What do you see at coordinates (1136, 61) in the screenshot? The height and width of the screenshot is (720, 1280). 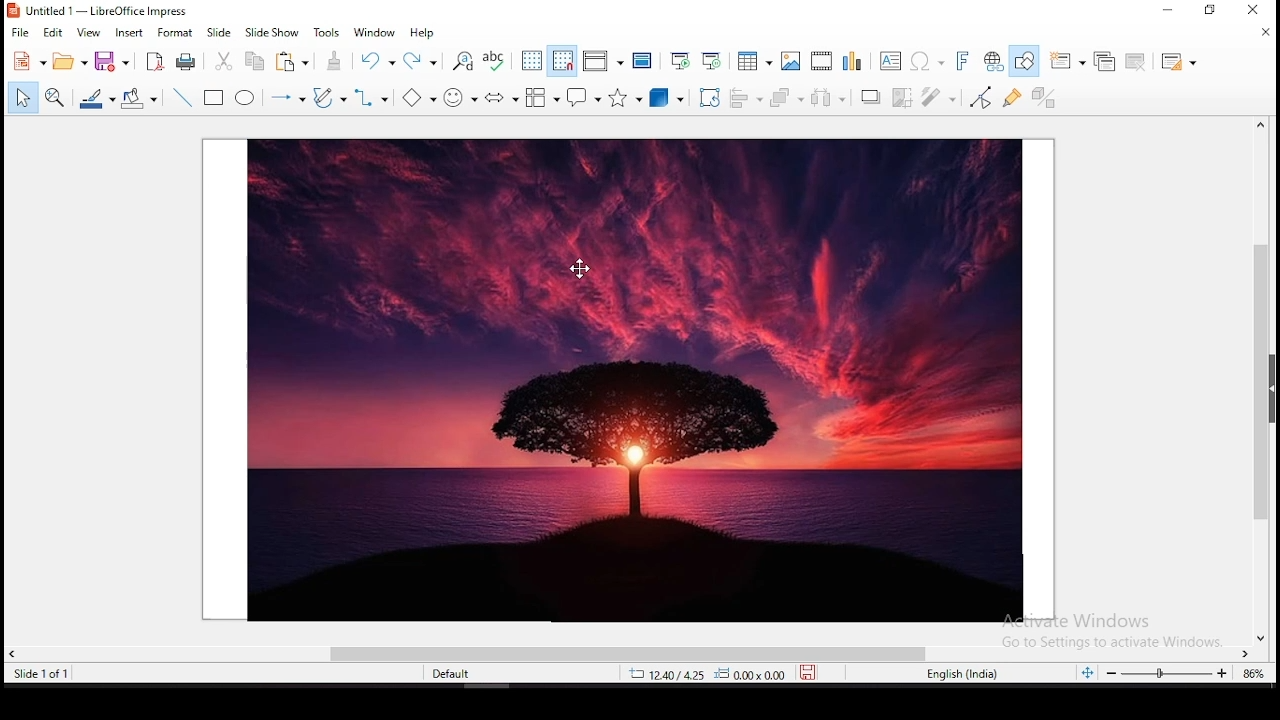 I see `delete slide` at bounding box center [1136, 61].